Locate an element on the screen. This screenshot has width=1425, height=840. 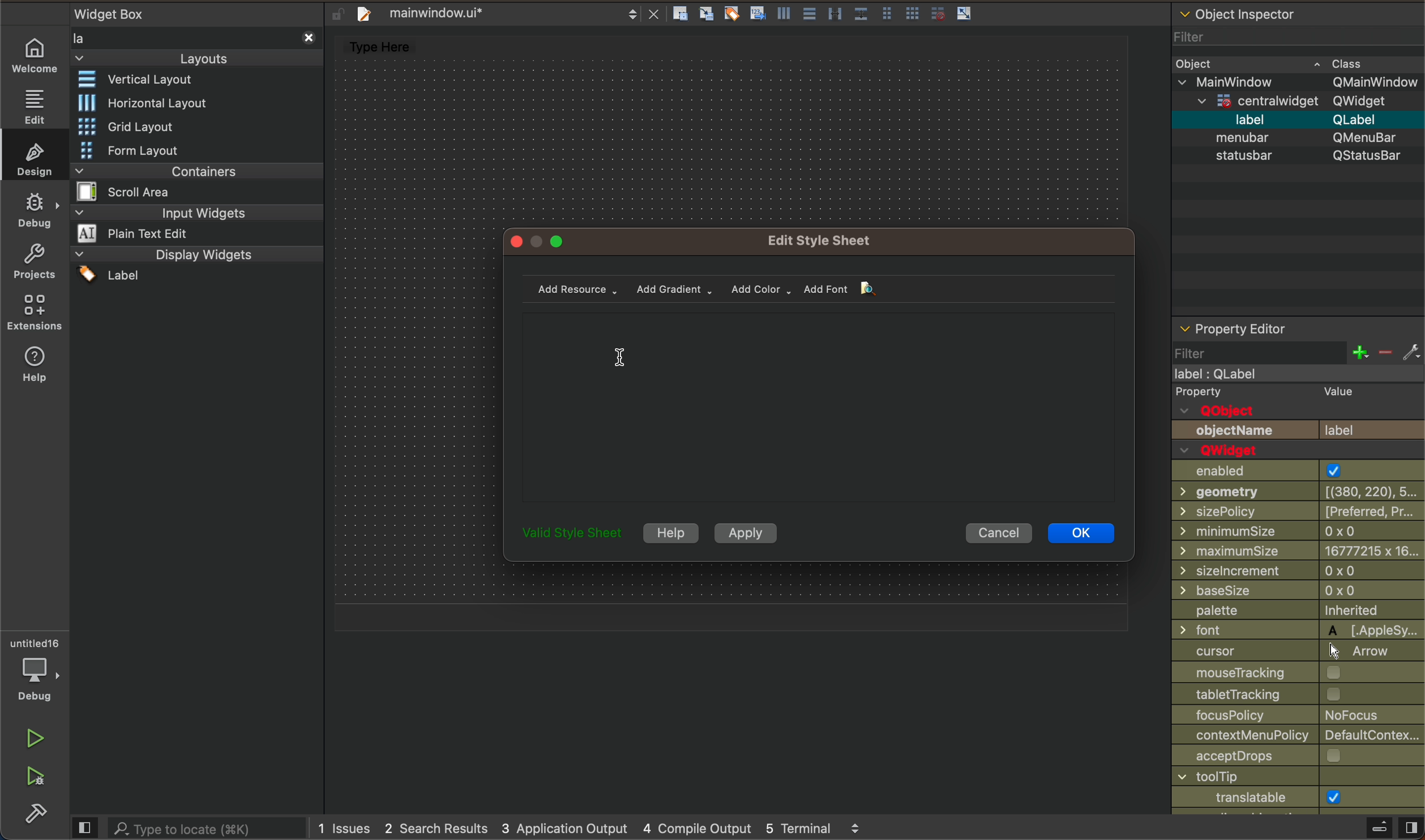
menbar is located at coordinates (1304, 136).